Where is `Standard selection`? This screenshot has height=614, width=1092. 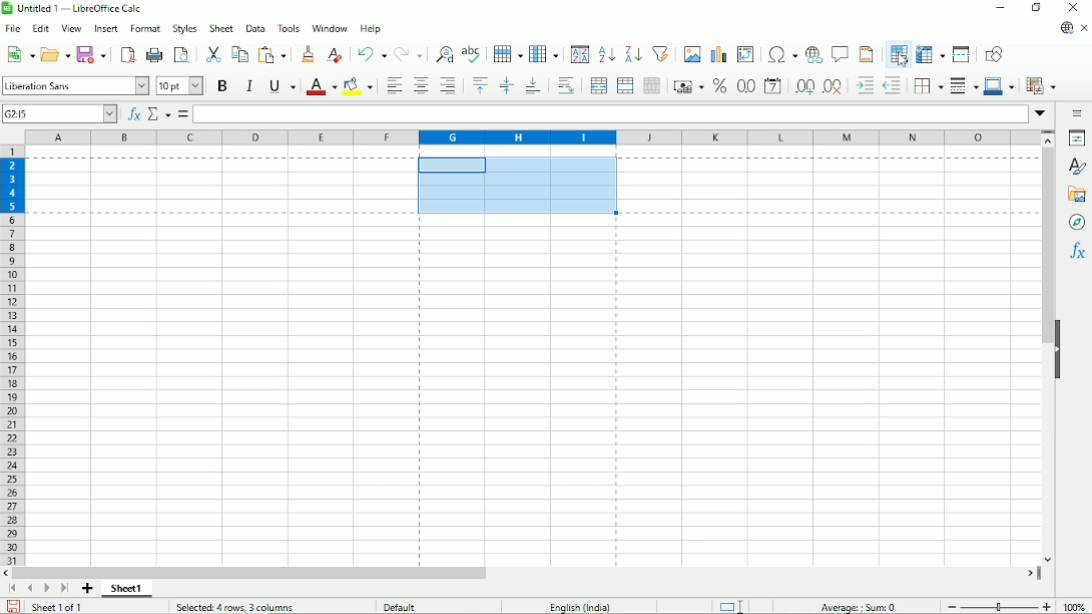
Standard selection is located at coordinates (732, 605).